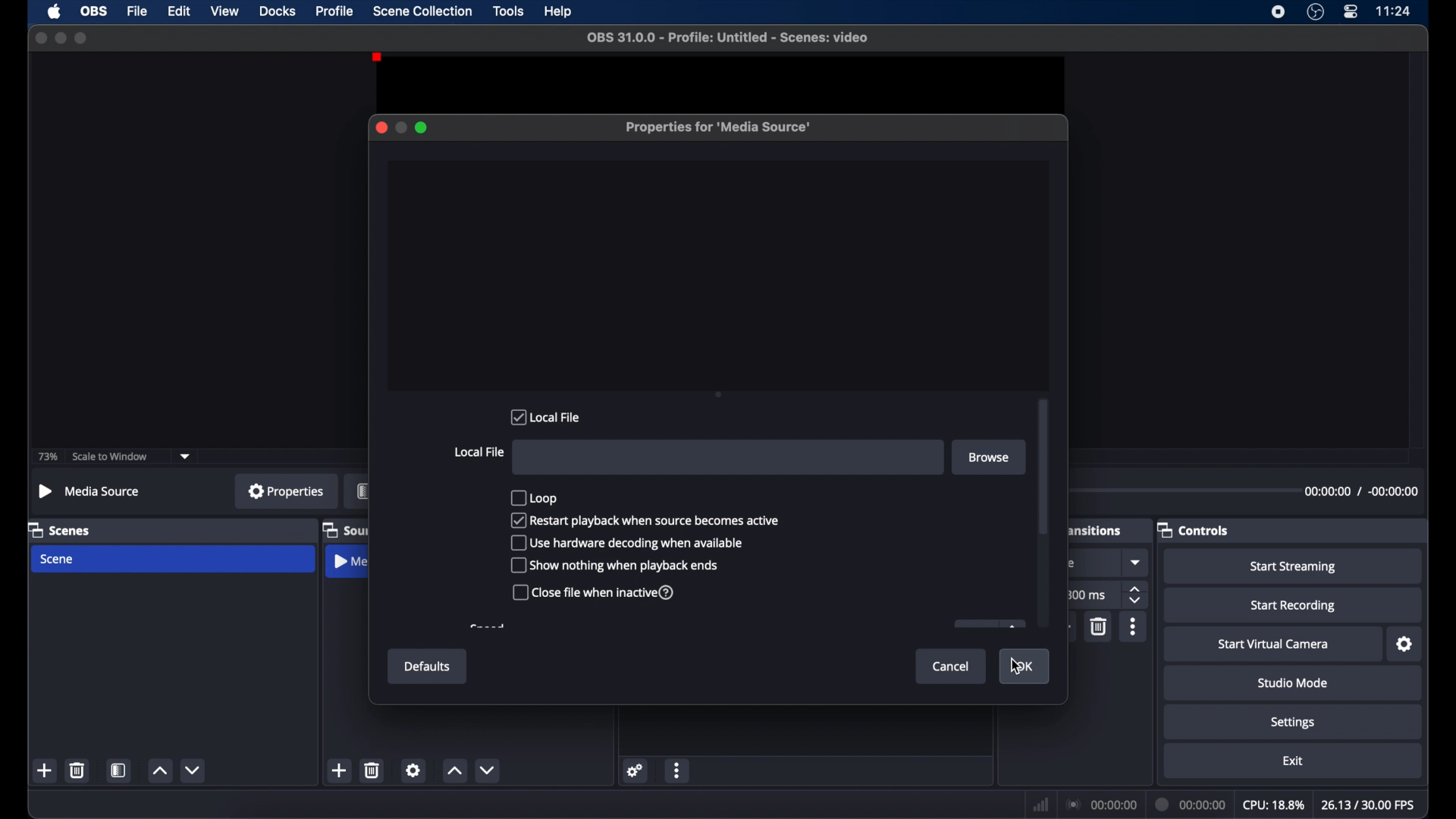 The height and width of the screenshot is (819, 1456). Describe the element at coordinates (54, 12) in the screenshot. I see `apple icon` at that location.